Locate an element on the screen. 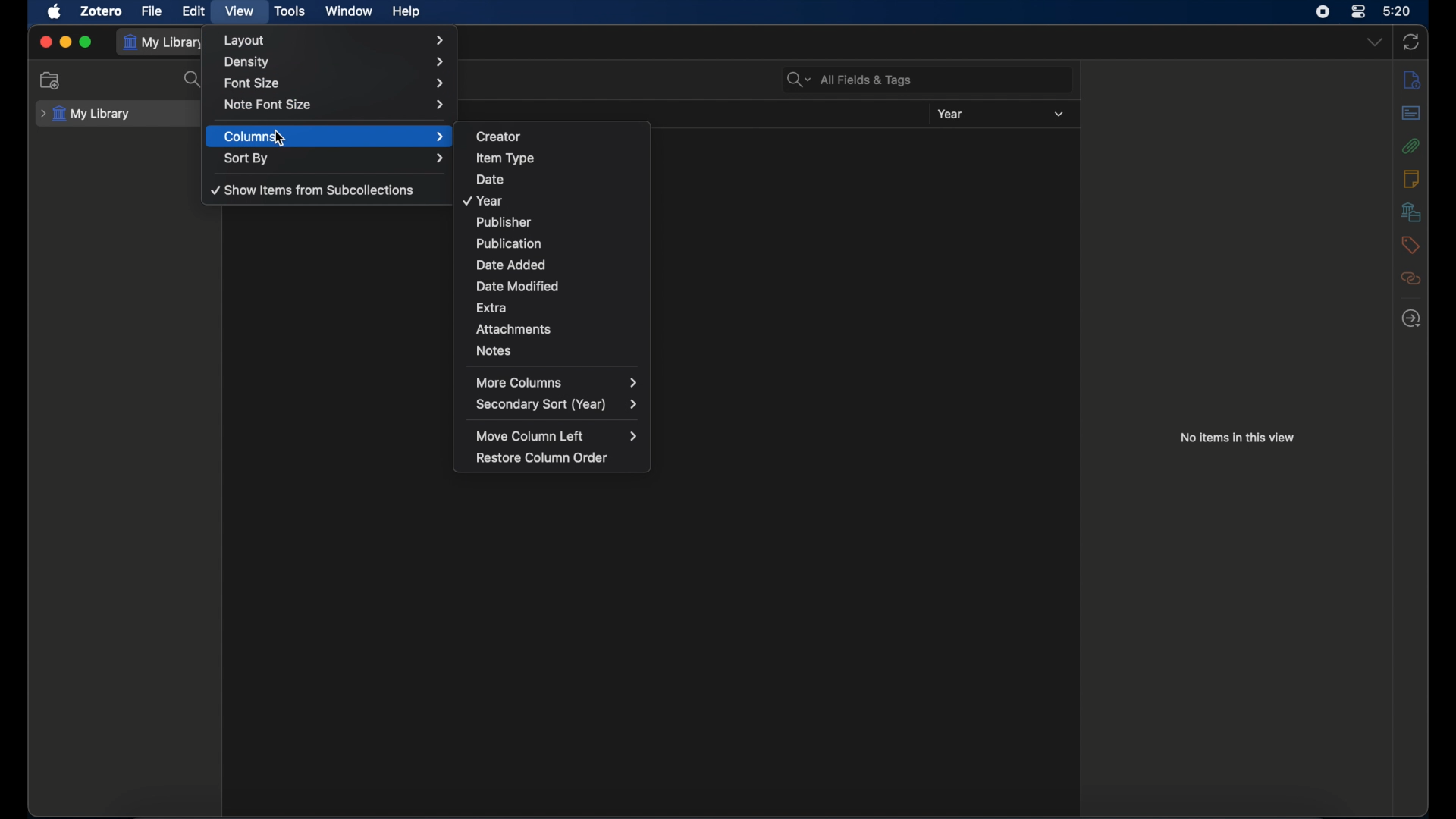 This screenshot has width=1456, height=819. font size is located at coordinates (335, 82).